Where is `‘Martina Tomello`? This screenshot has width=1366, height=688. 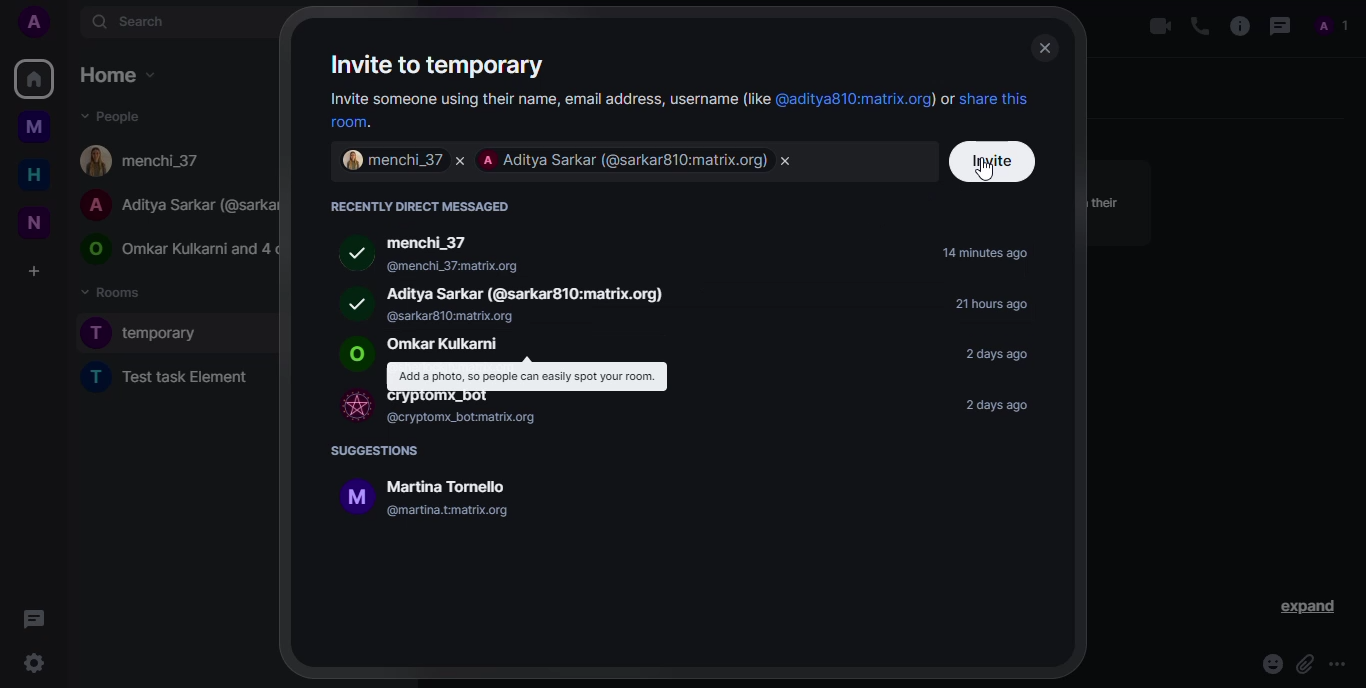
‘Martina Tomello is located at coordinates (444, 486).